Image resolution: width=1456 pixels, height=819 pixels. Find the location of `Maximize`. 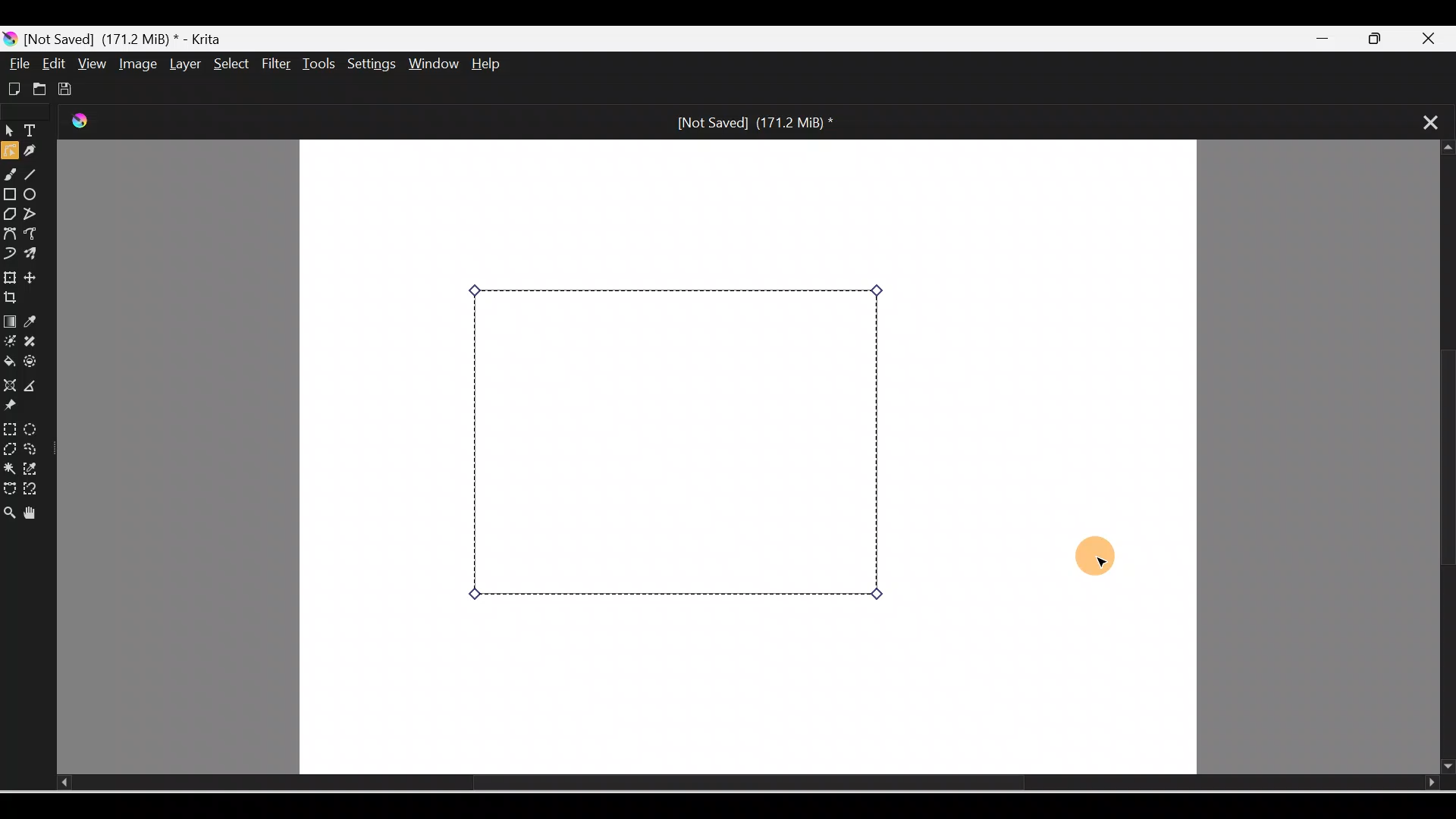

Maximize is located at coordinates (1384, 39).